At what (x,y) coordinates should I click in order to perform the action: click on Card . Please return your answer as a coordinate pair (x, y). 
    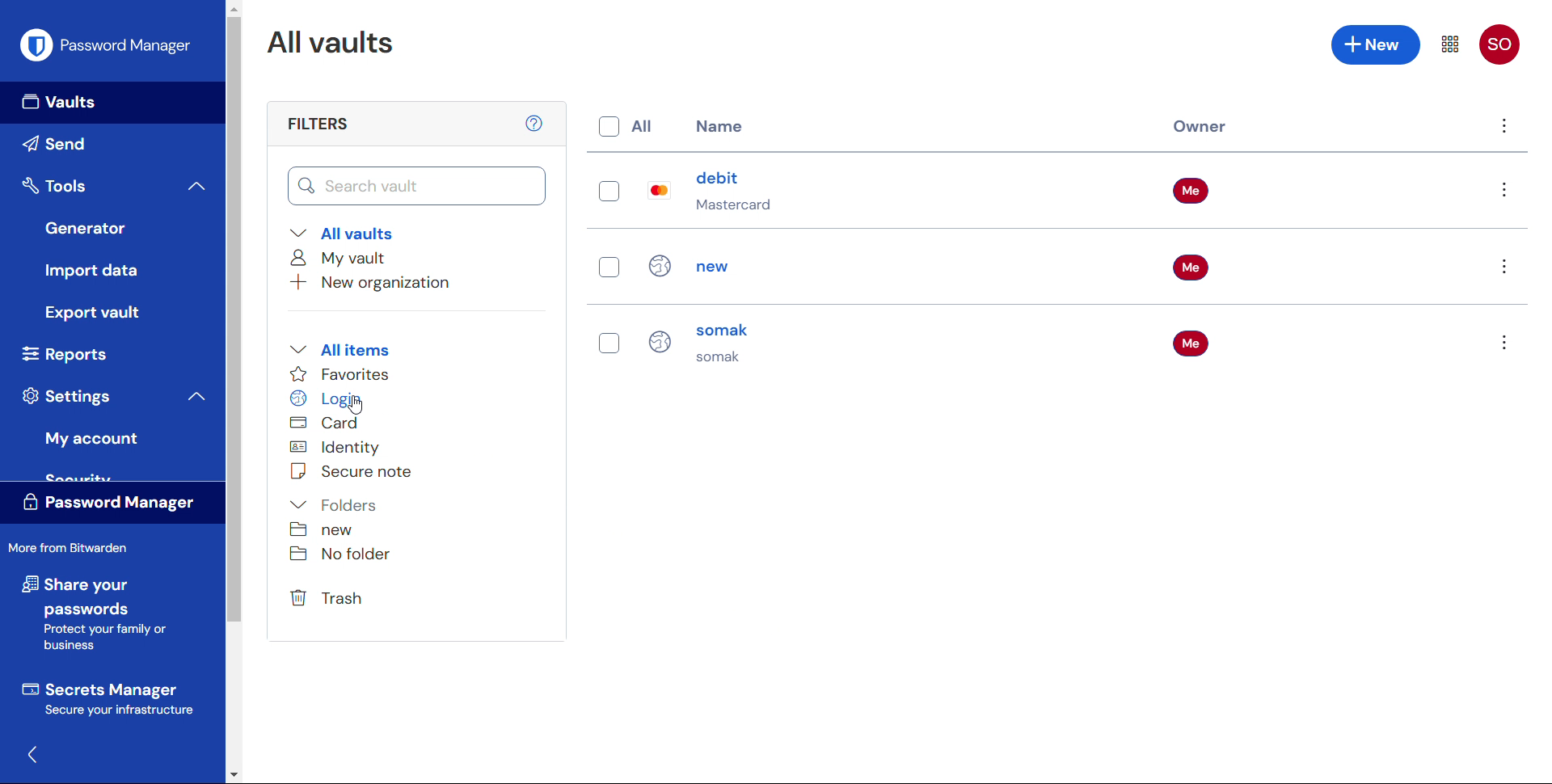
    Looking at the image, I should click on (323, 422).